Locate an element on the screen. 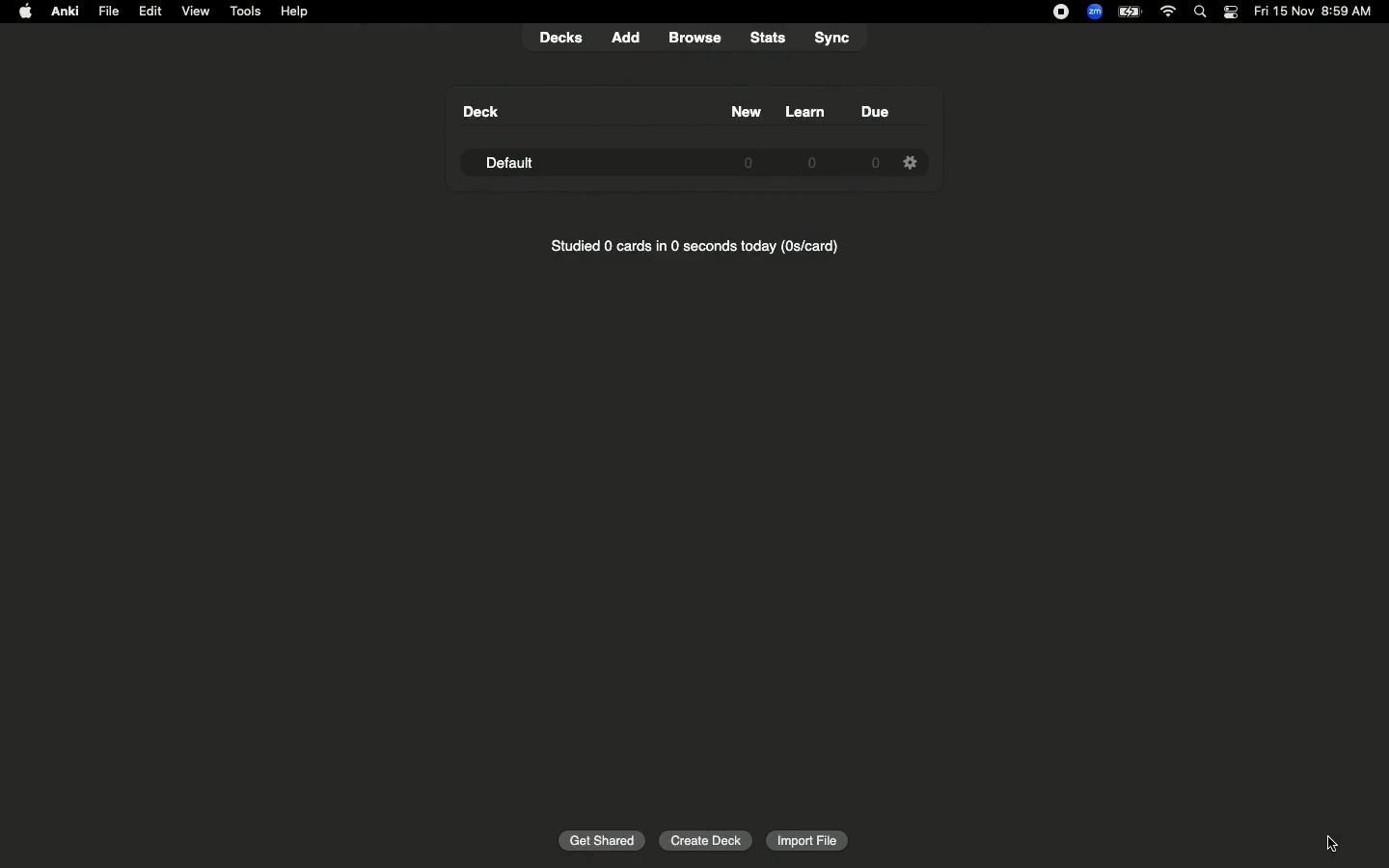 This screenshot has height=868, width=1389. browse is located at coordinates (698, 38).